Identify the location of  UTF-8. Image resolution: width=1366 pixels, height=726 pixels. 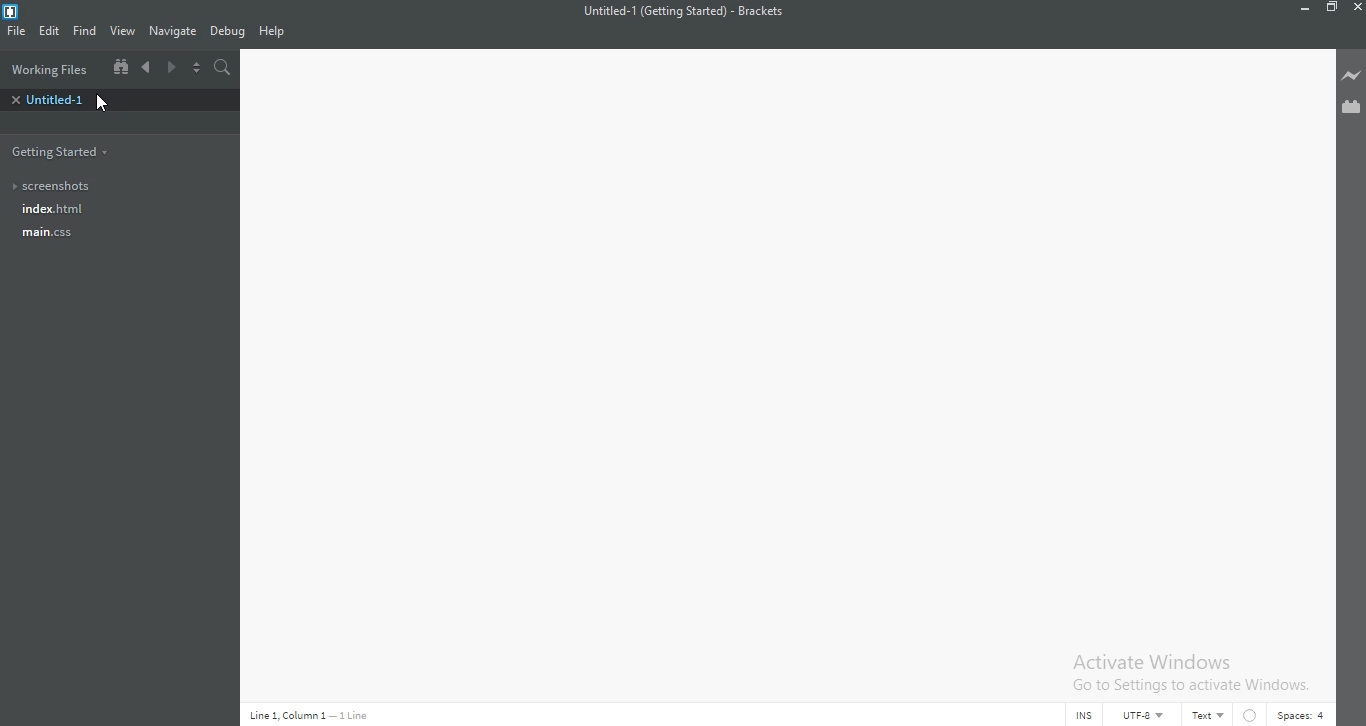
(1143, 717).